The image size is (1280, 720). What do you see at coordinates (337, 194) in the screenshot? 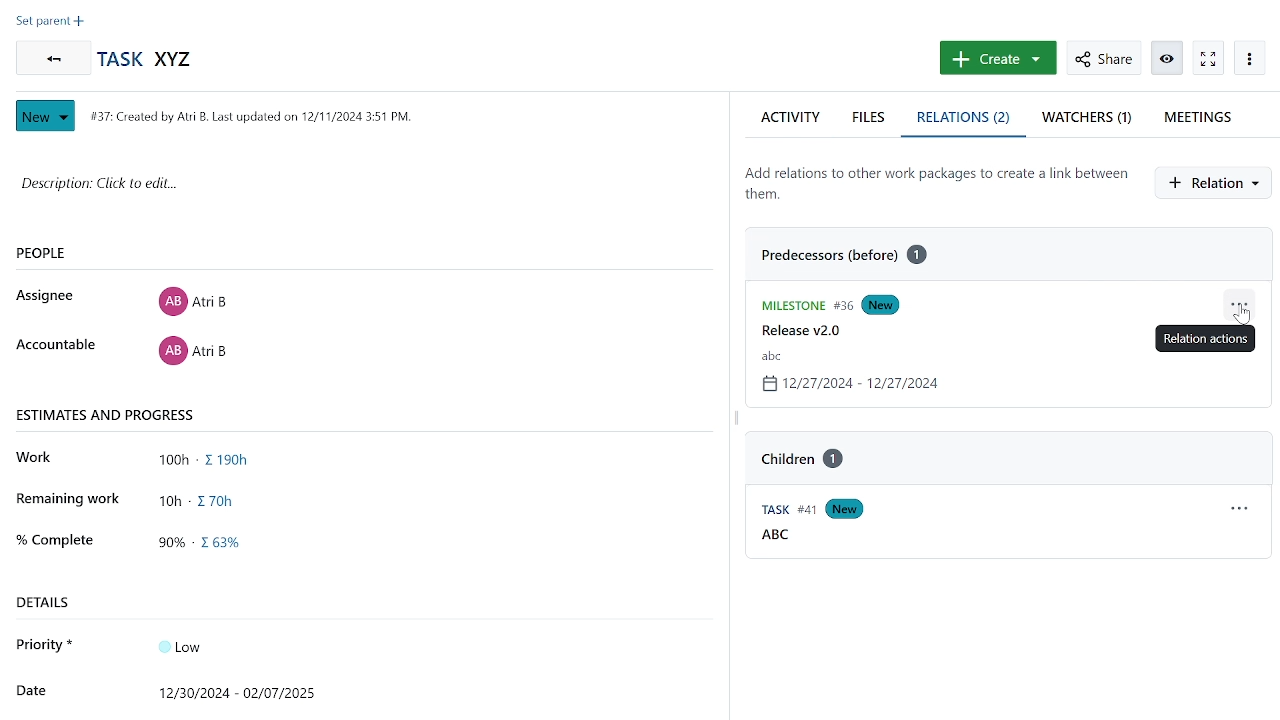
I see `space for adding description` at bounding box center [337, 194].